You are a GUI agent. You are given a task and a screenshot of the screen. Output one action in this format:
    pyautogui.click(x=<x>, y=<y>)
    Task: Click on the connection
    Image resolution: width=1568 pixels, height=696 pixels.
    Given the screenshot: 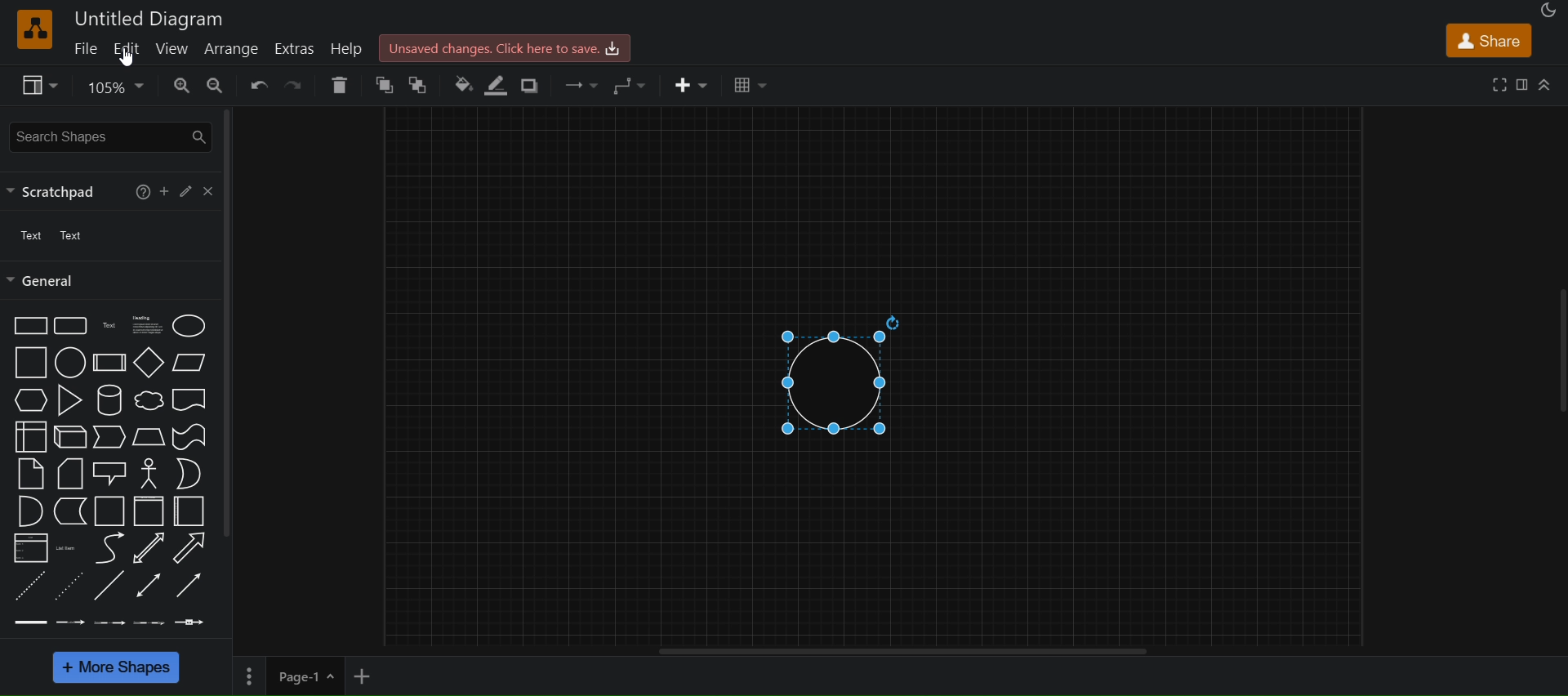 What is the action you would take?
    pyautogui.click(x=581, y=85)
    